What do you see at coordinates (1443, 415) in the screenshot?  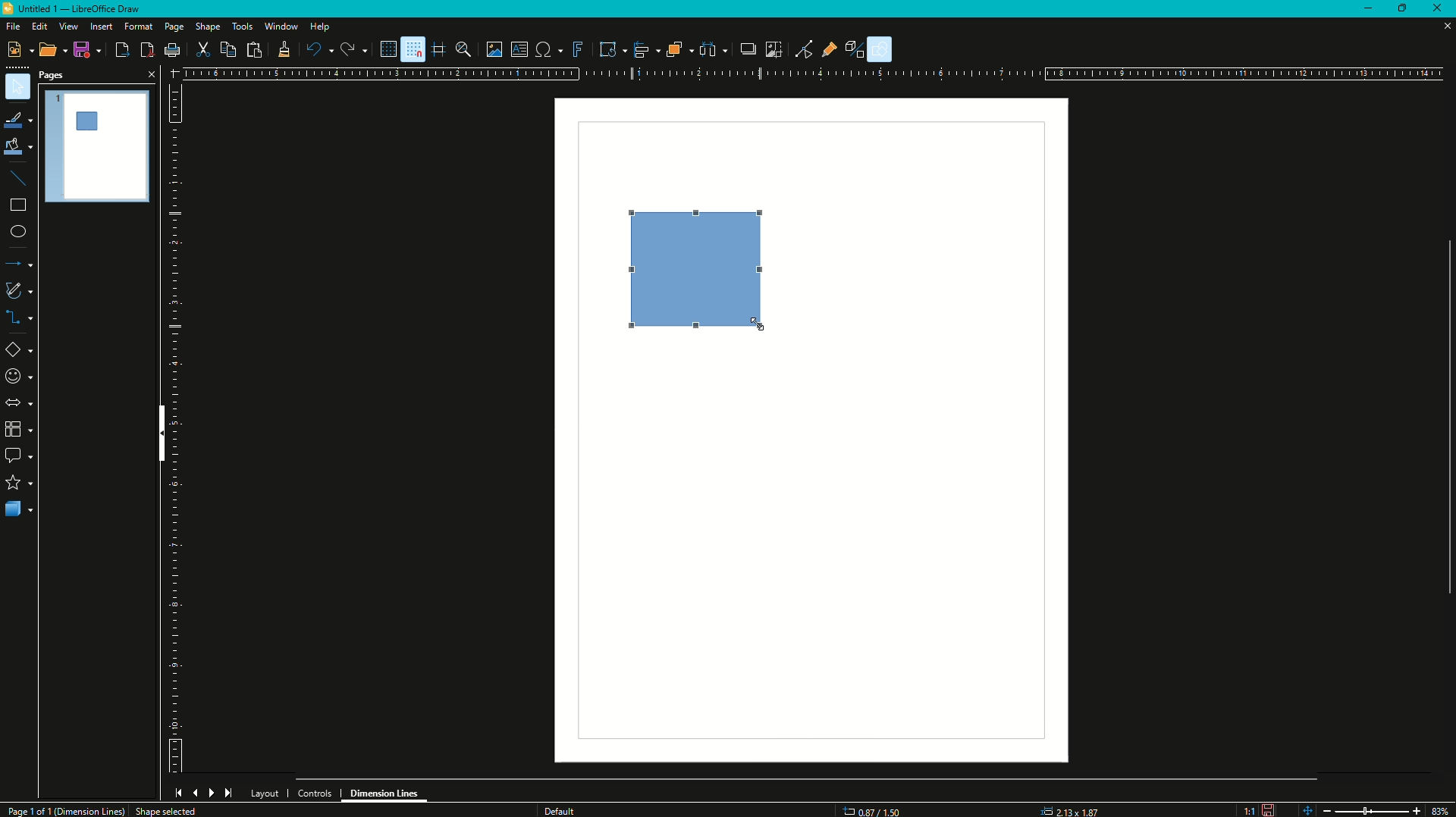 I see `Scroll` at bounding box center [1443, 415].